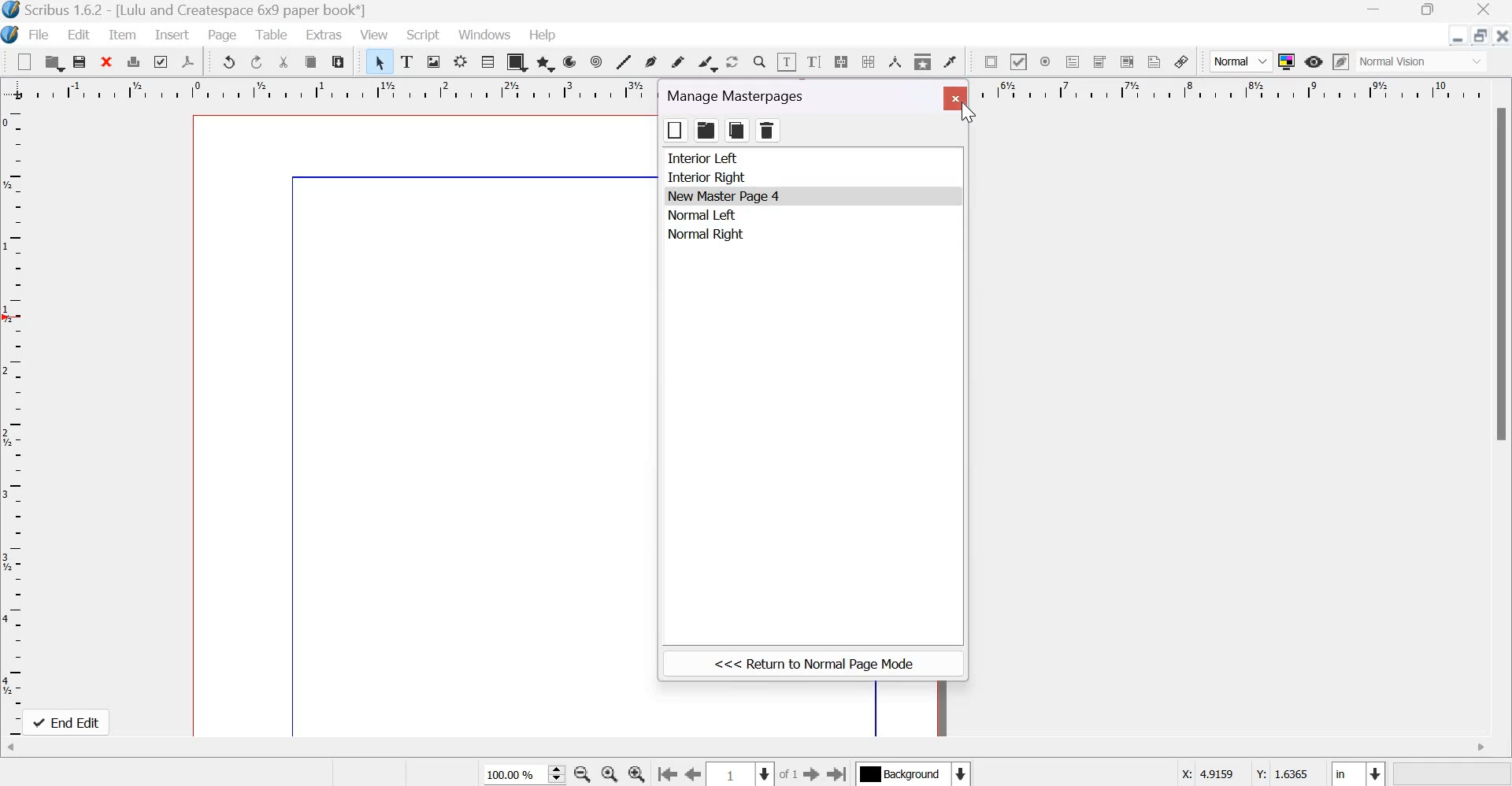 This screenshot has height=786, width=1512. What do you see at coordinates (968, 110) in the screenshot?
I see `cursor` at bounding box center [968, 110].